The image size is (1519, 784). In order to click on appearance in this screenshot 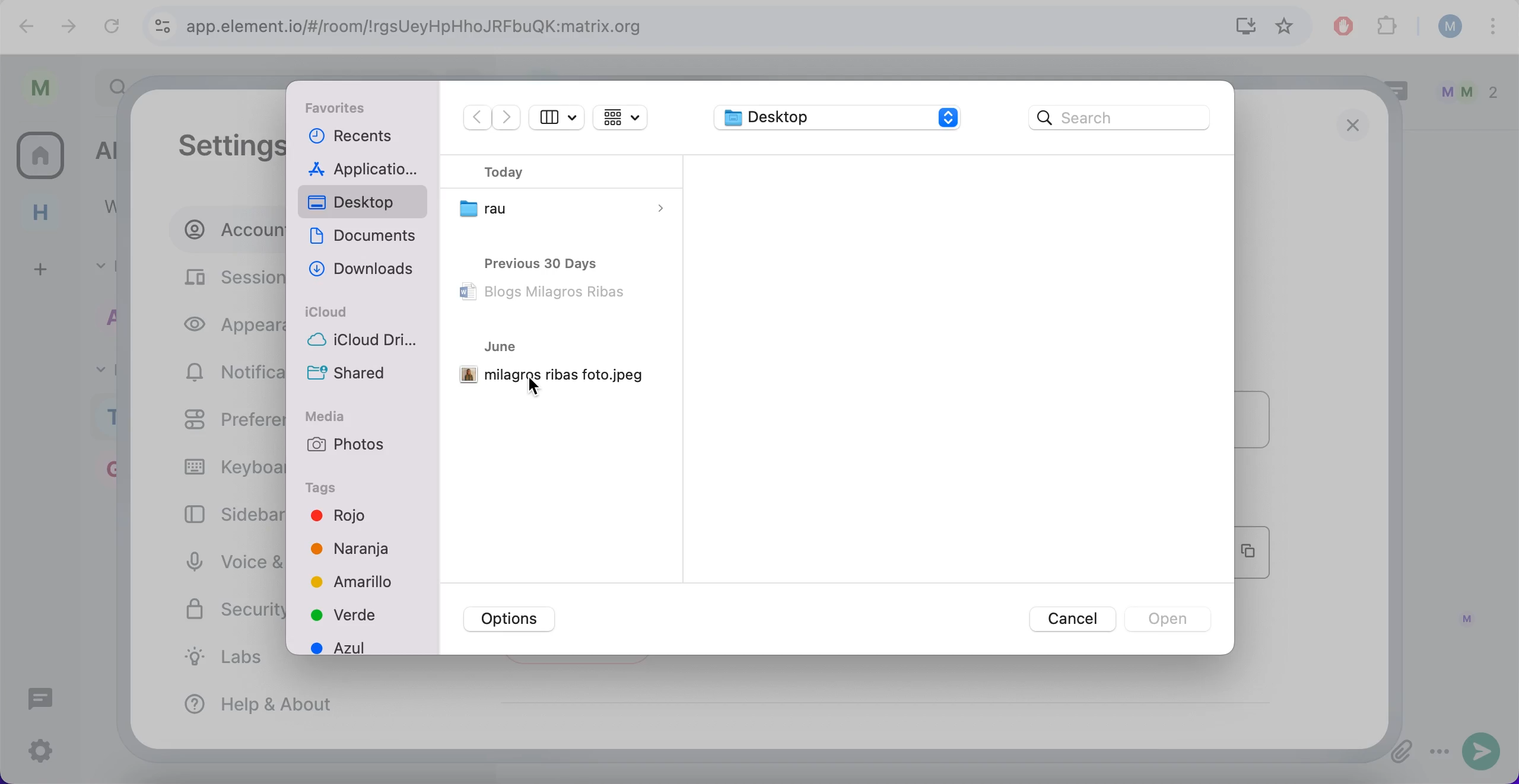, I will do `click(226, 328)`.